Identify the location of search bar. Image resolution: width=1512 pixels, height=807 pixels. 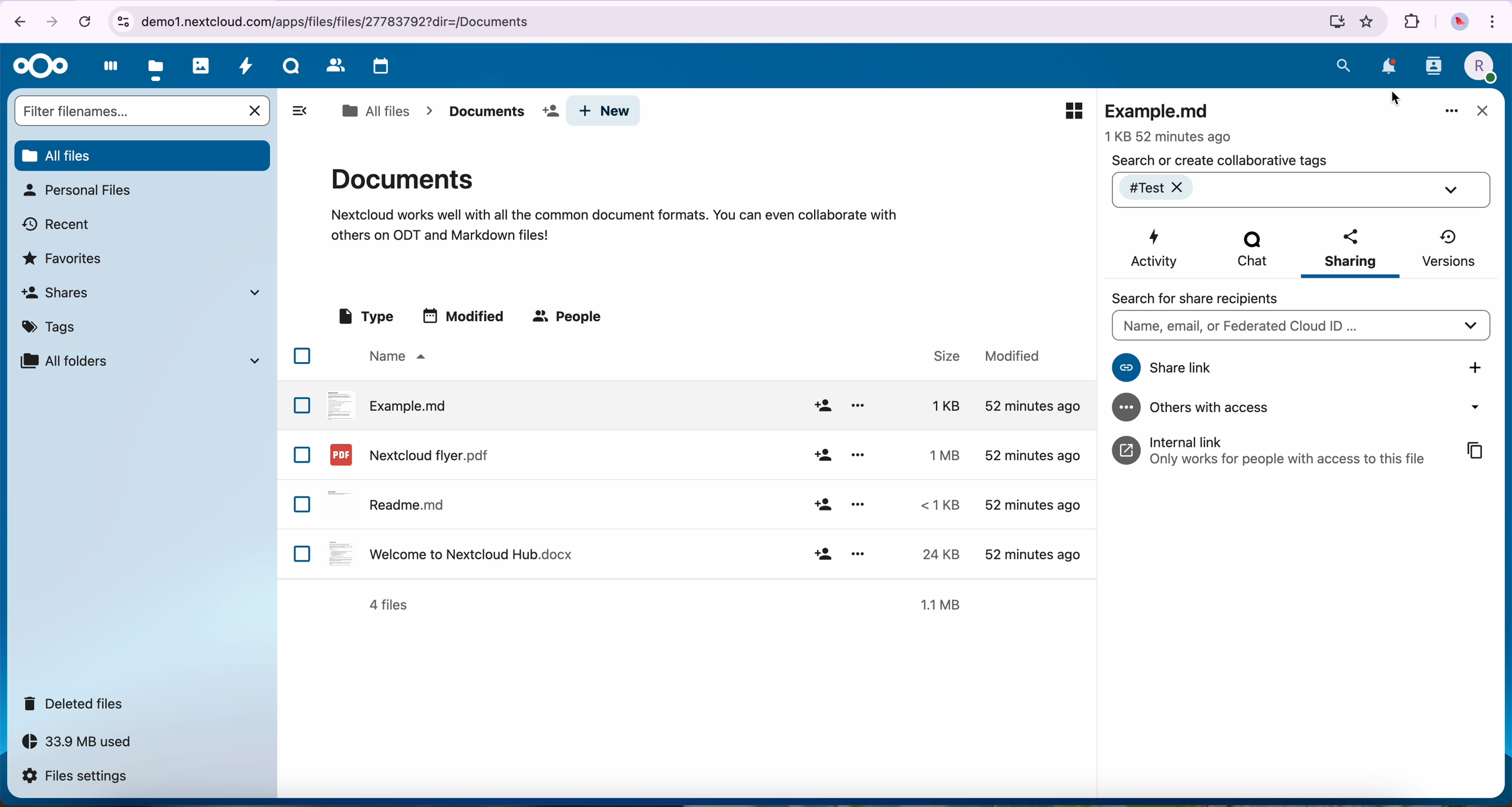
(1300, 327).